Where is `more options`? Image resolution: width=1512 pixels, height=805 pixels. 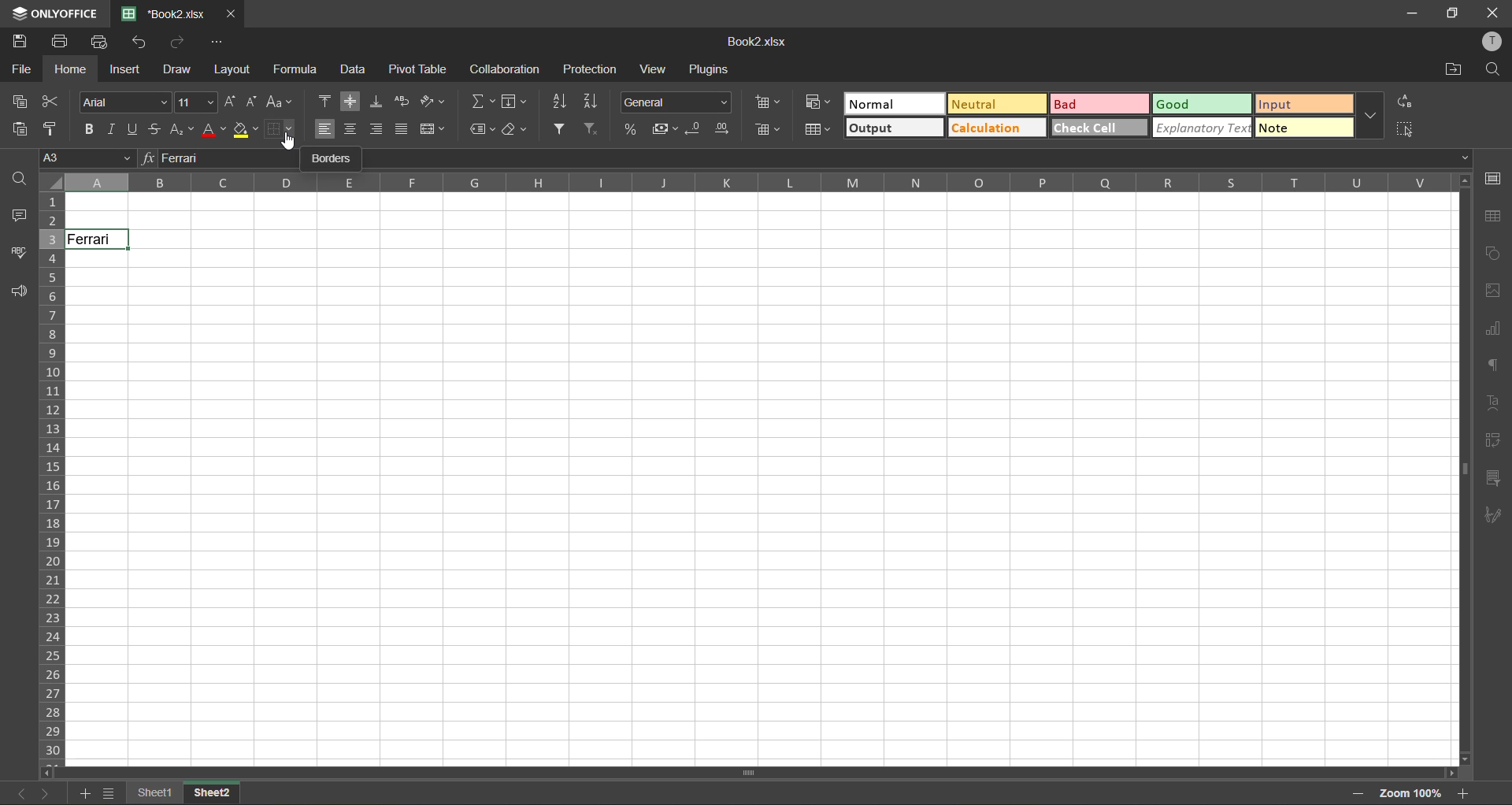 more options is located at coordinates (1371, 116).